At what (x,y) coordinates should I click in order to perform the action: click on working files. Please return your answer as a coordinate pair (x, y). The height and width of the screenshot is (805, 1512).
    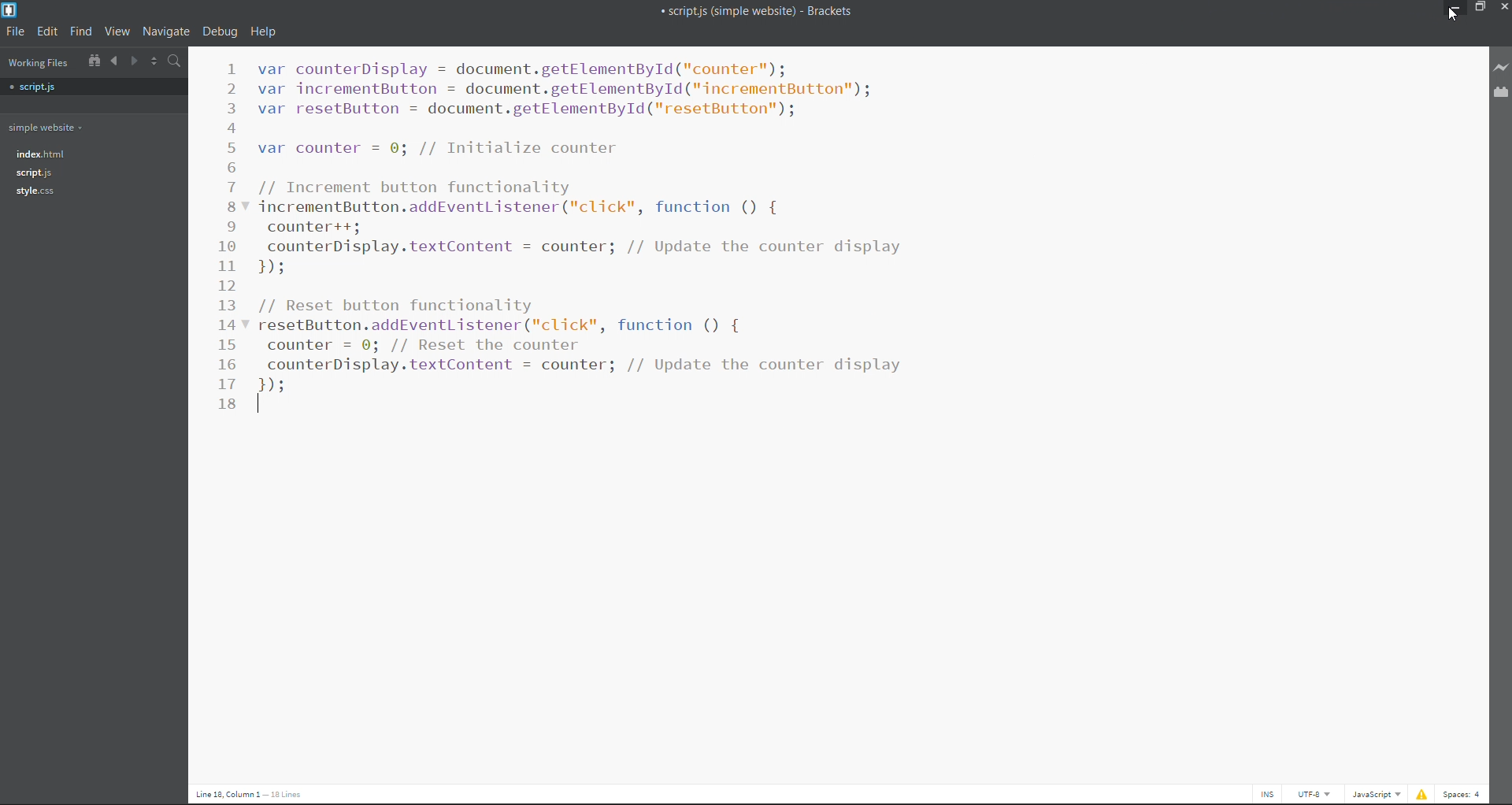
    Looking at the image, I should click on (39, 64).